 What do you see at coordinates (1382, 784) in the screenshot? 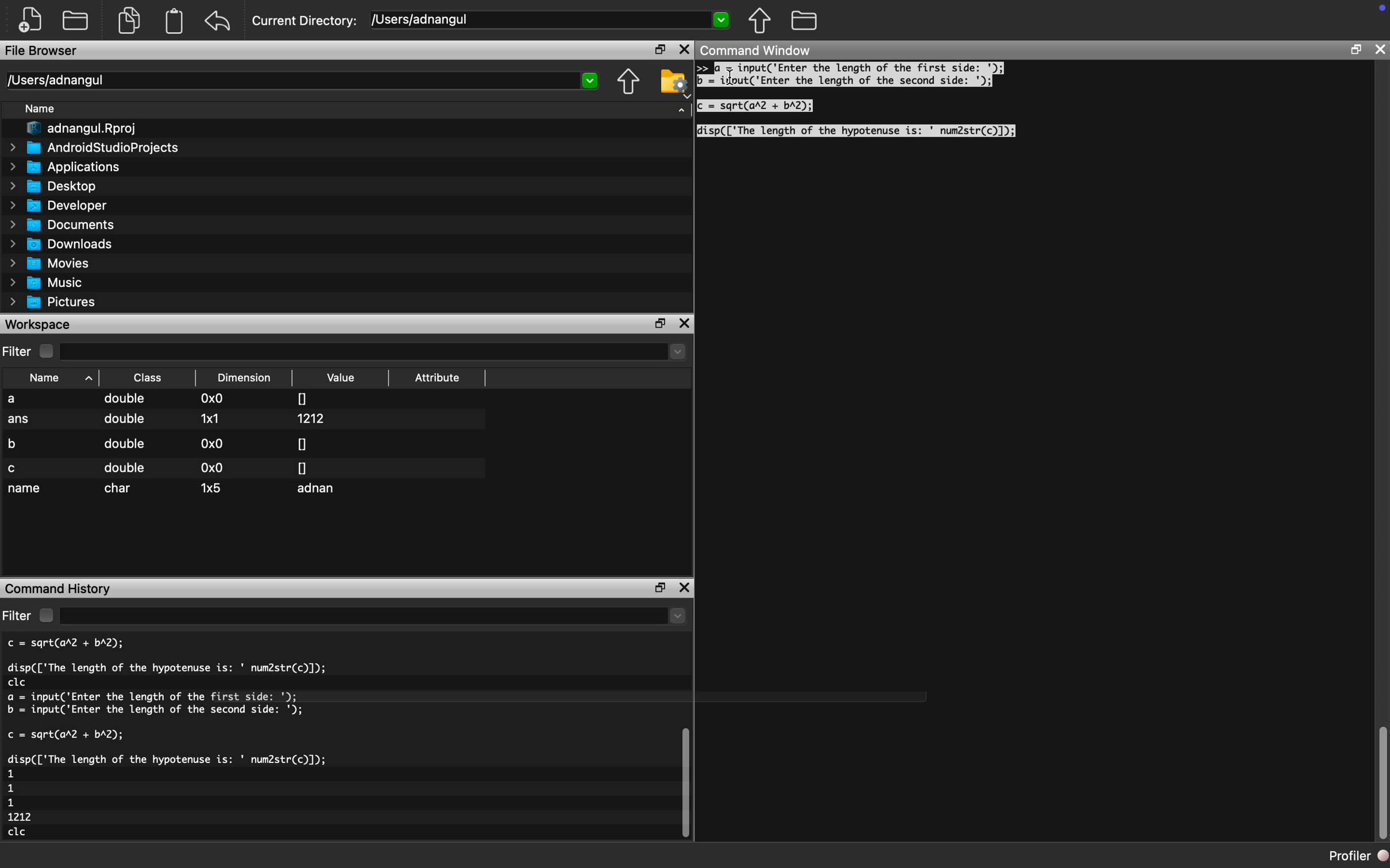
I see `vertical scroll bar` at bounding box center [1382, 784].